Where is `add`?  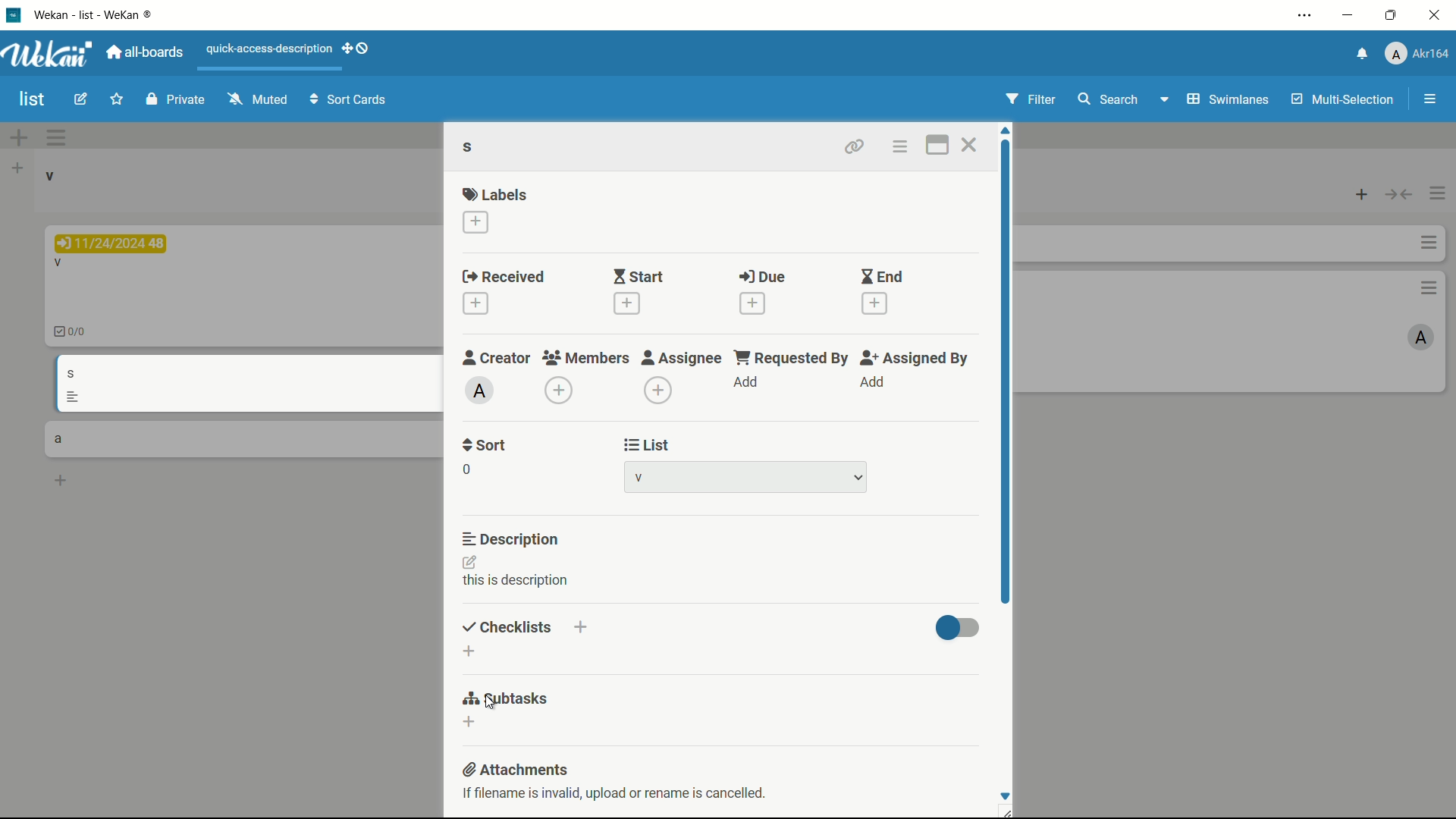
add is located at coordinates (747, 382).